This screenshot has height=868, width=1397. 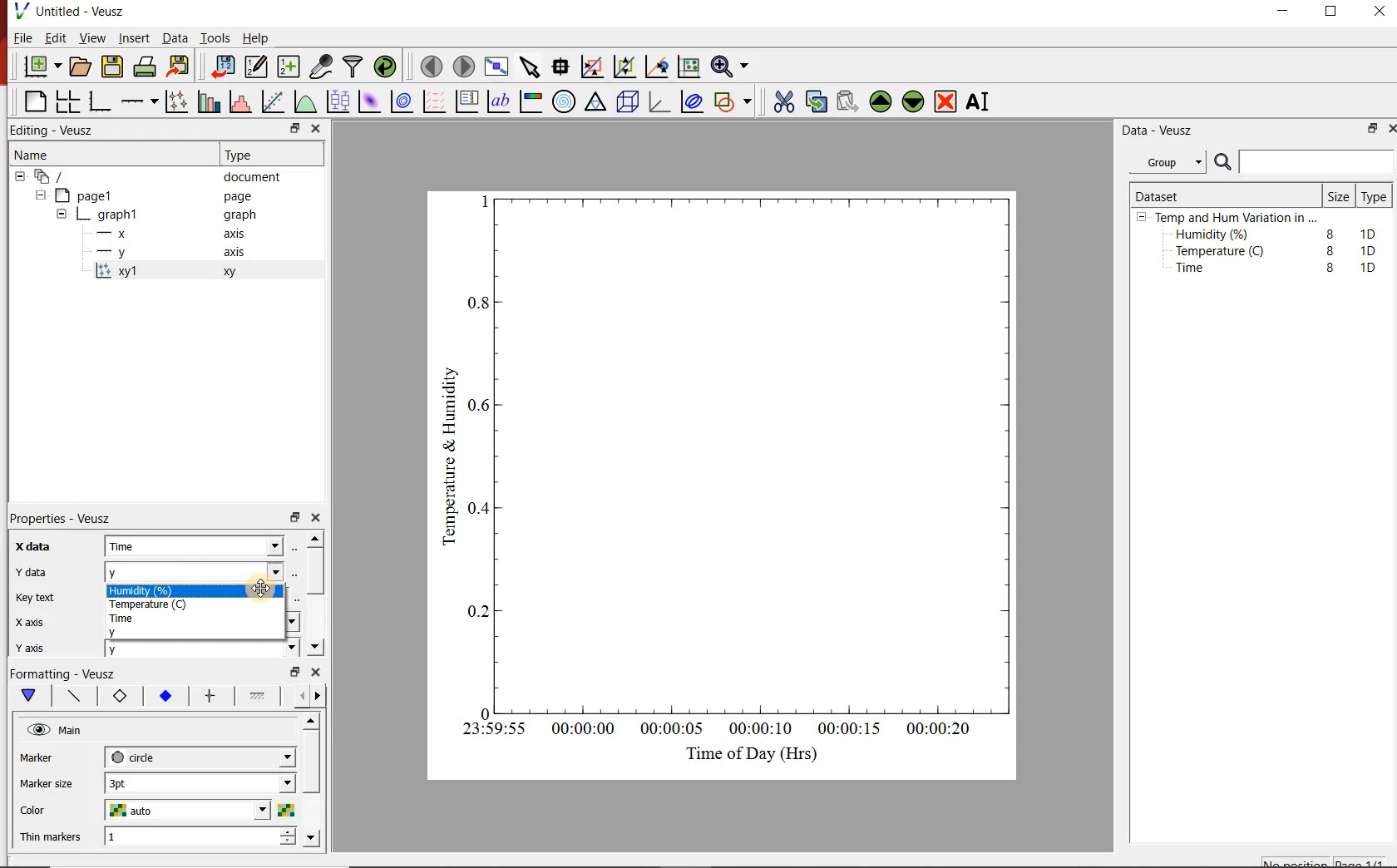 What do you see at coordinates (234, 276) in the screenshot?
I see `xy` at bounding box center [234, 276].